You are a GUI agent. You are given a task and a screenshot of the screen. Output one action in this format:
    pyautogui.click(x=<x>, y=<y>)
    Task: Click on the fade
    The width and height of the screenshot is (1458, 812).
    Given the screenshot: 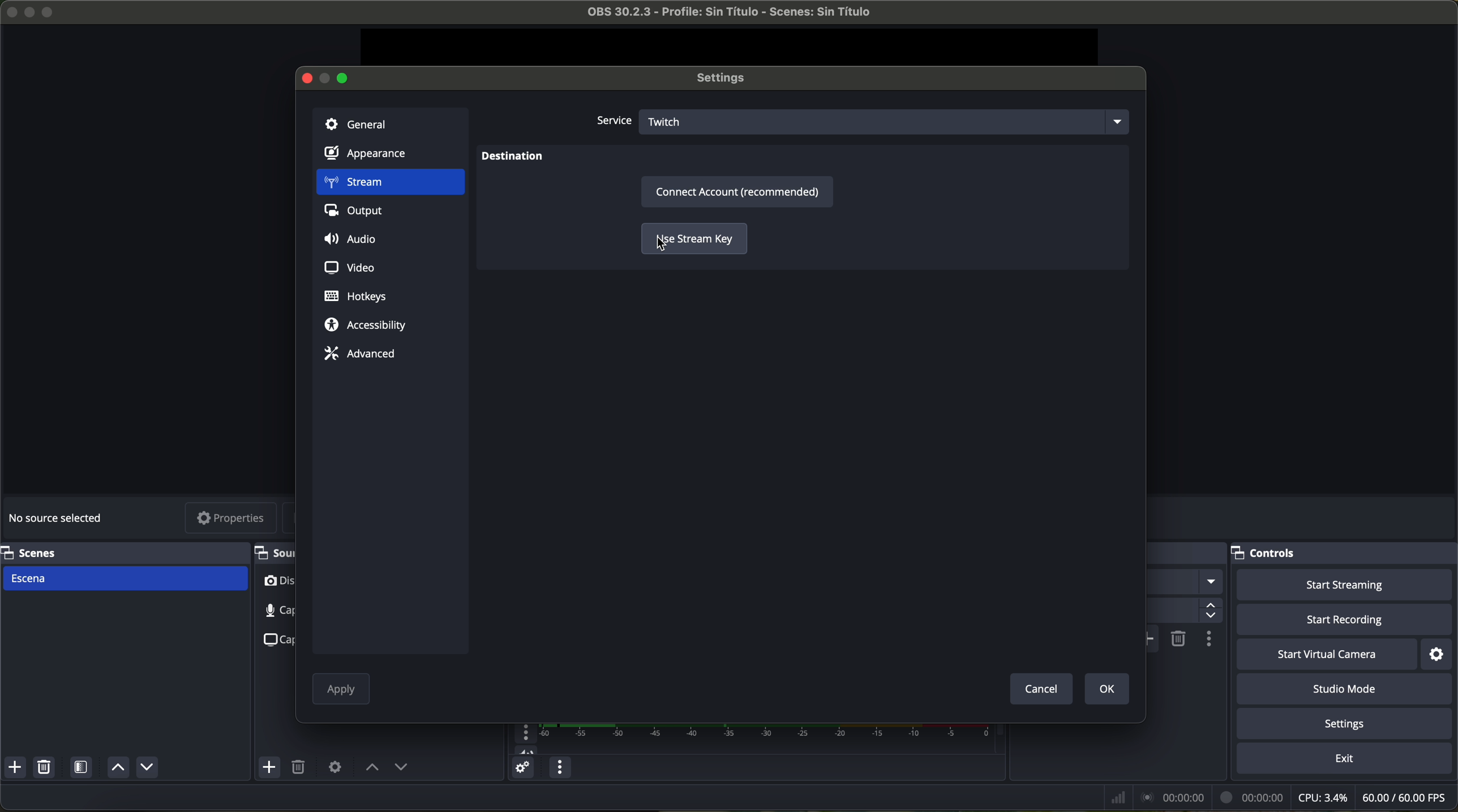 What is the action you would take?
    pyautogui.click(x=1185, y=582)
    